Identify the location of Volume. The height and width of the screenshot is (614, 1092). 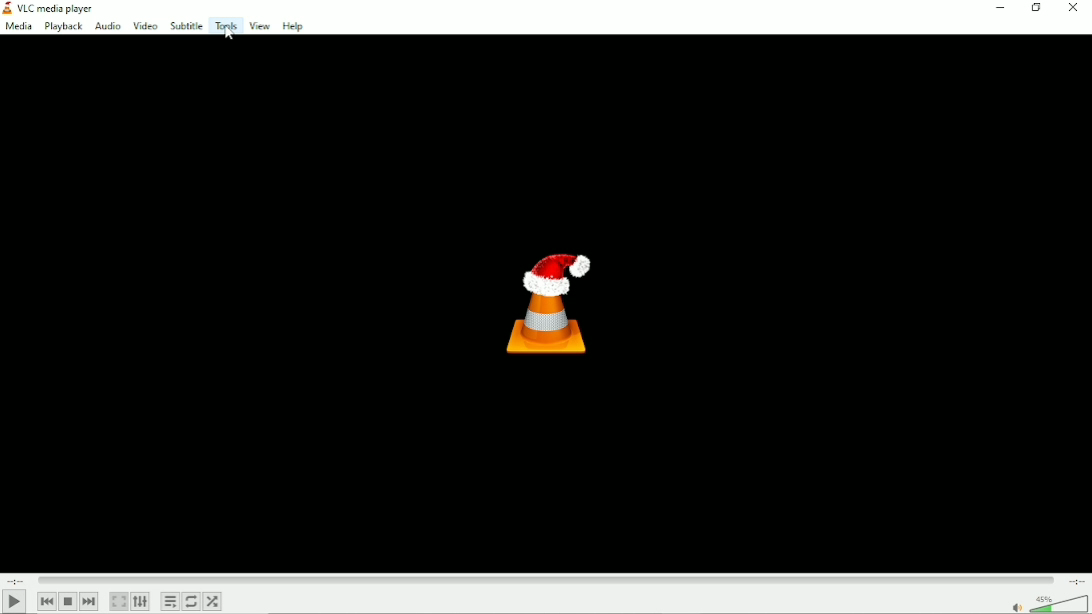
(1047, 602).